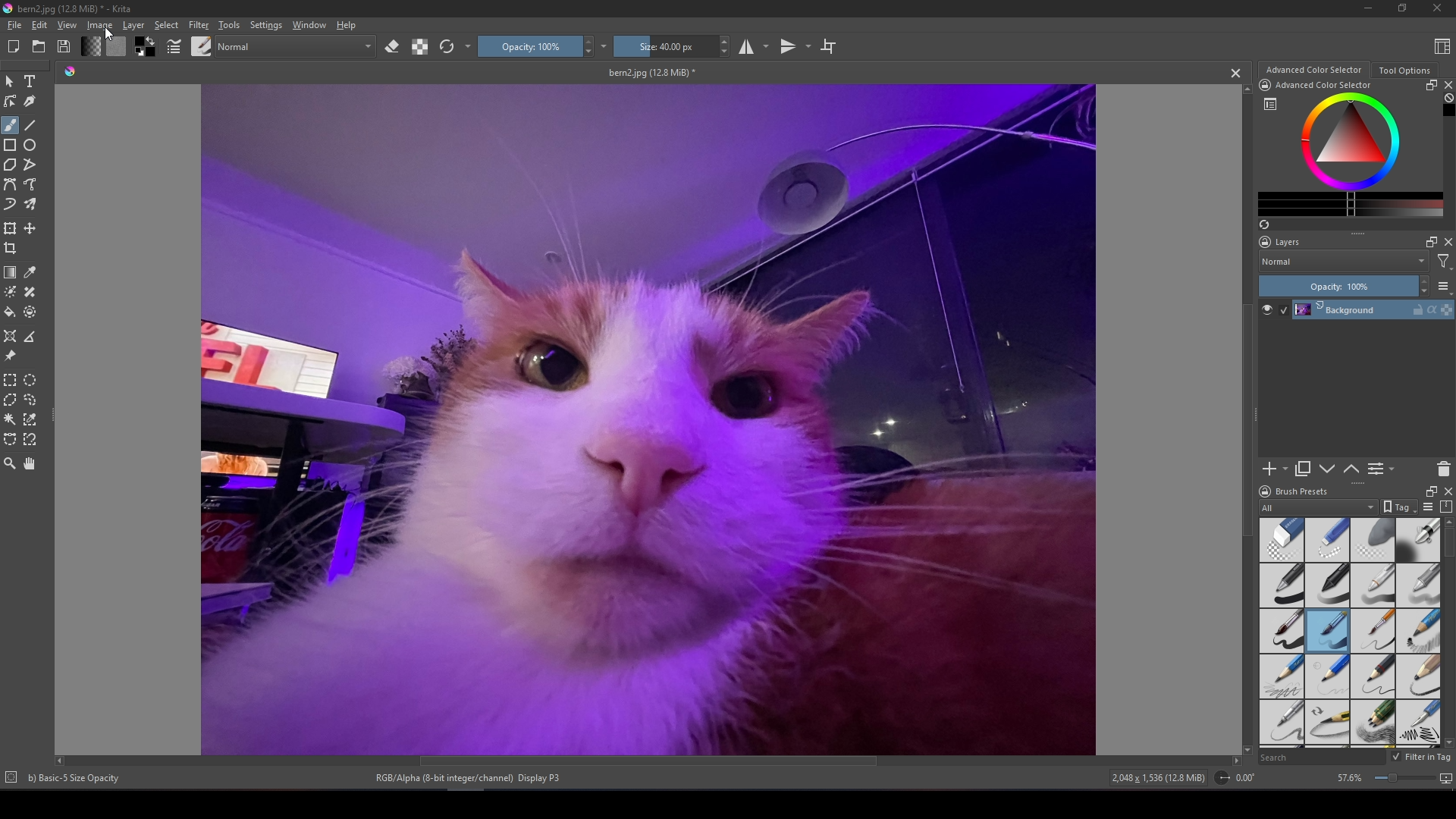 This screenshot has height=819, width=1456. What do you see at coordinates (1447, 491) in the screenshot?
I see `Close brush docker` at bounding box center [1447, 491].